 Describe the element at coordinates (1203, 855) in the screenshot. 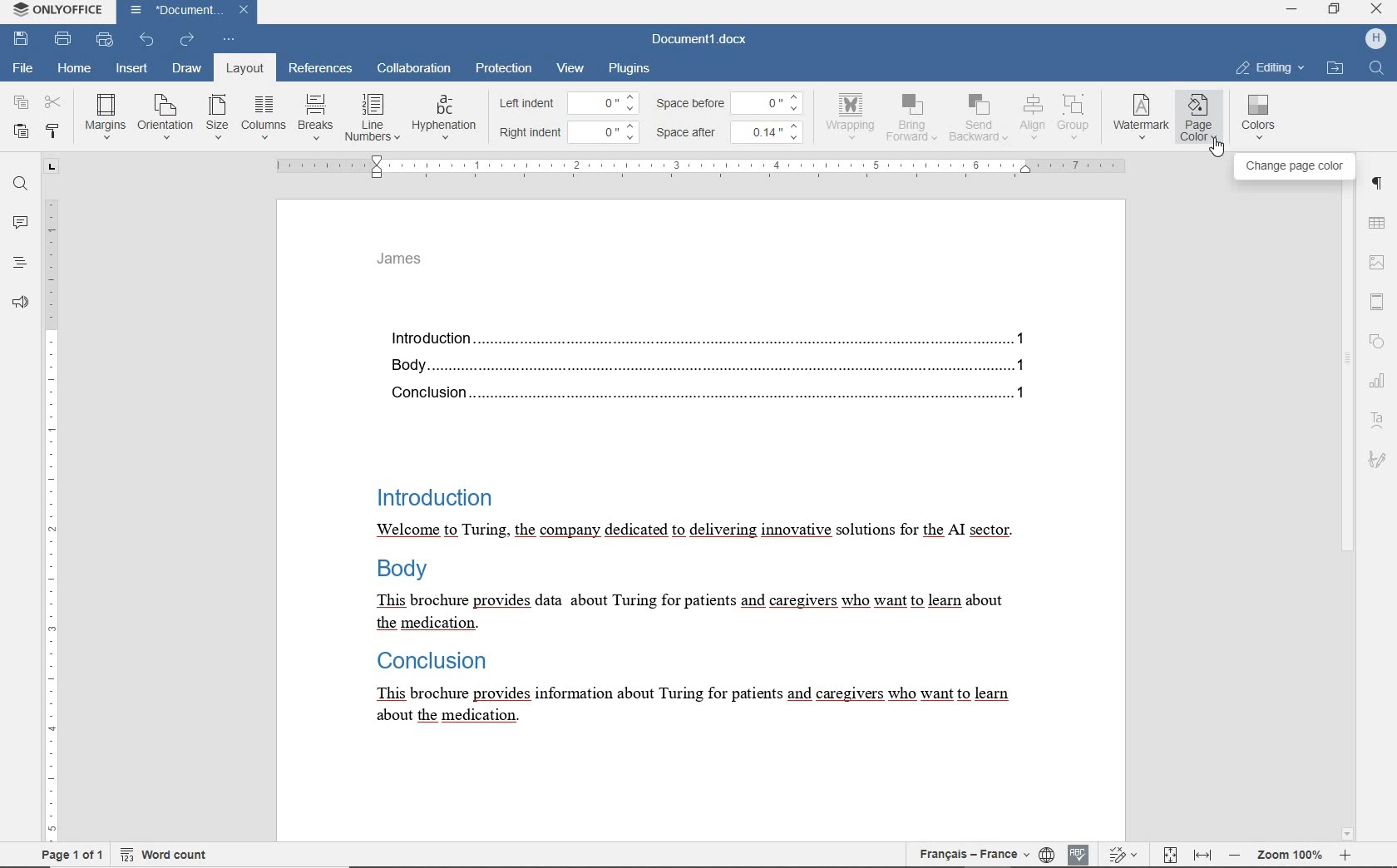

I see `fit to width` at that location.